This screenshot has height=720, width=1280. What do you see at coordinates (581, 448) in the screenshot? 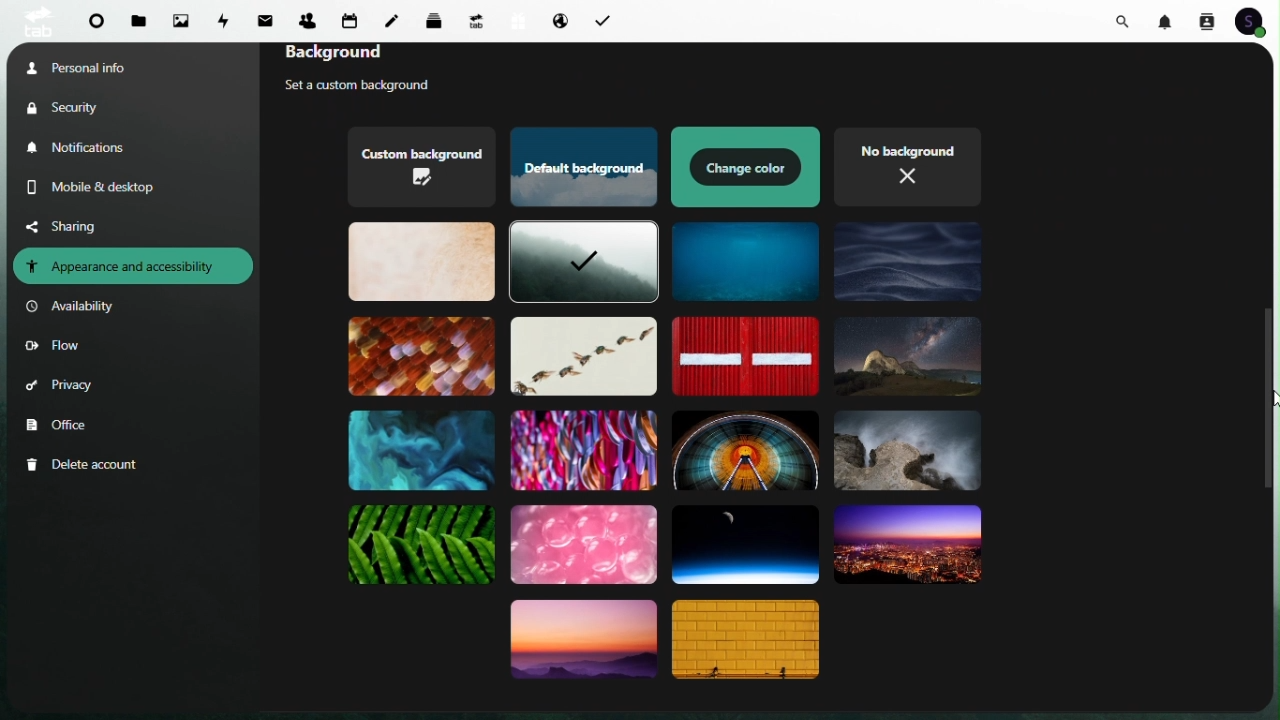
I see `Themes` at bounding box center [581, 448].